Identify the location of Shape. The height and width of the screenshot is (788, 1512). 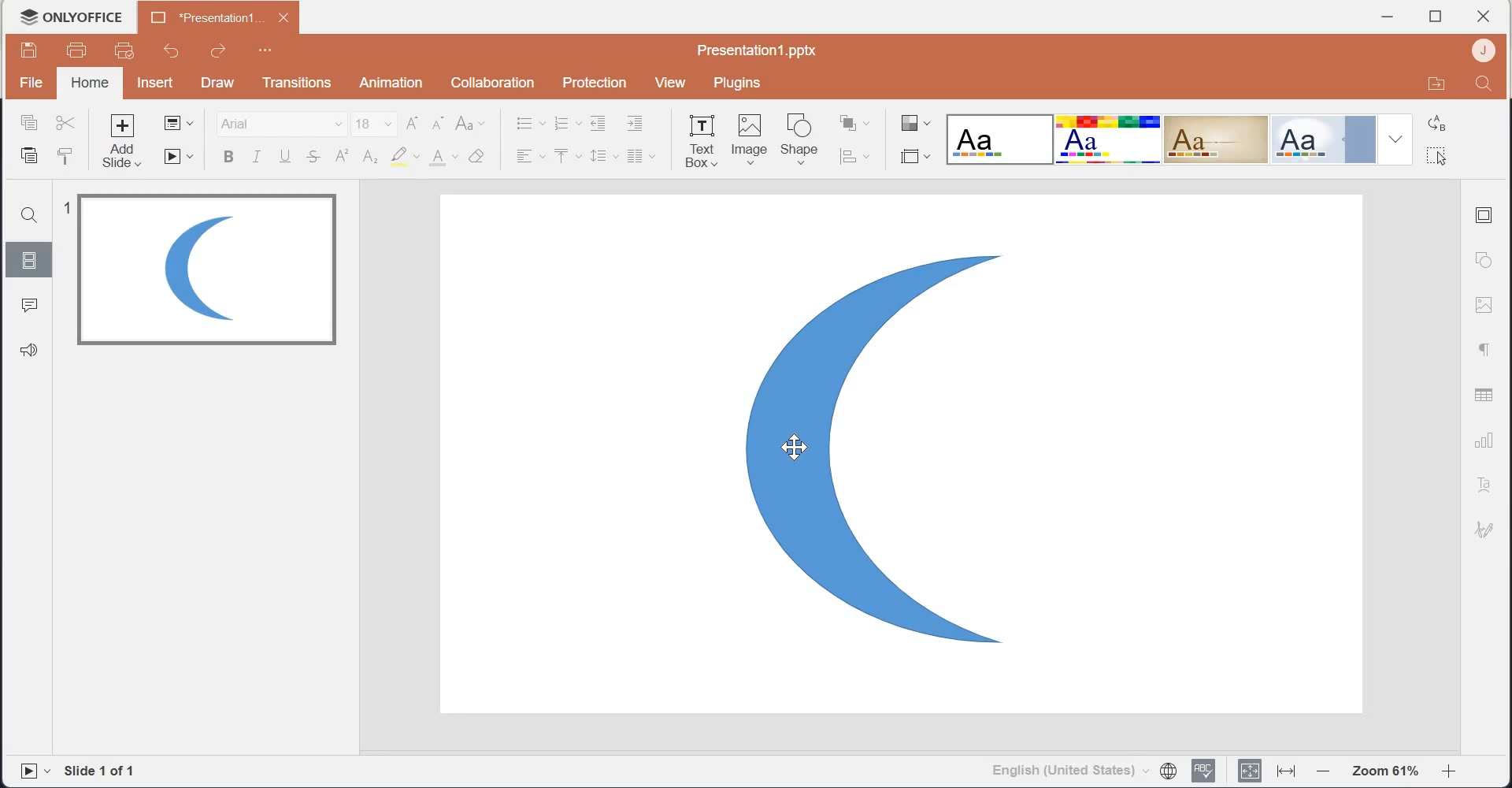
(802, 138).